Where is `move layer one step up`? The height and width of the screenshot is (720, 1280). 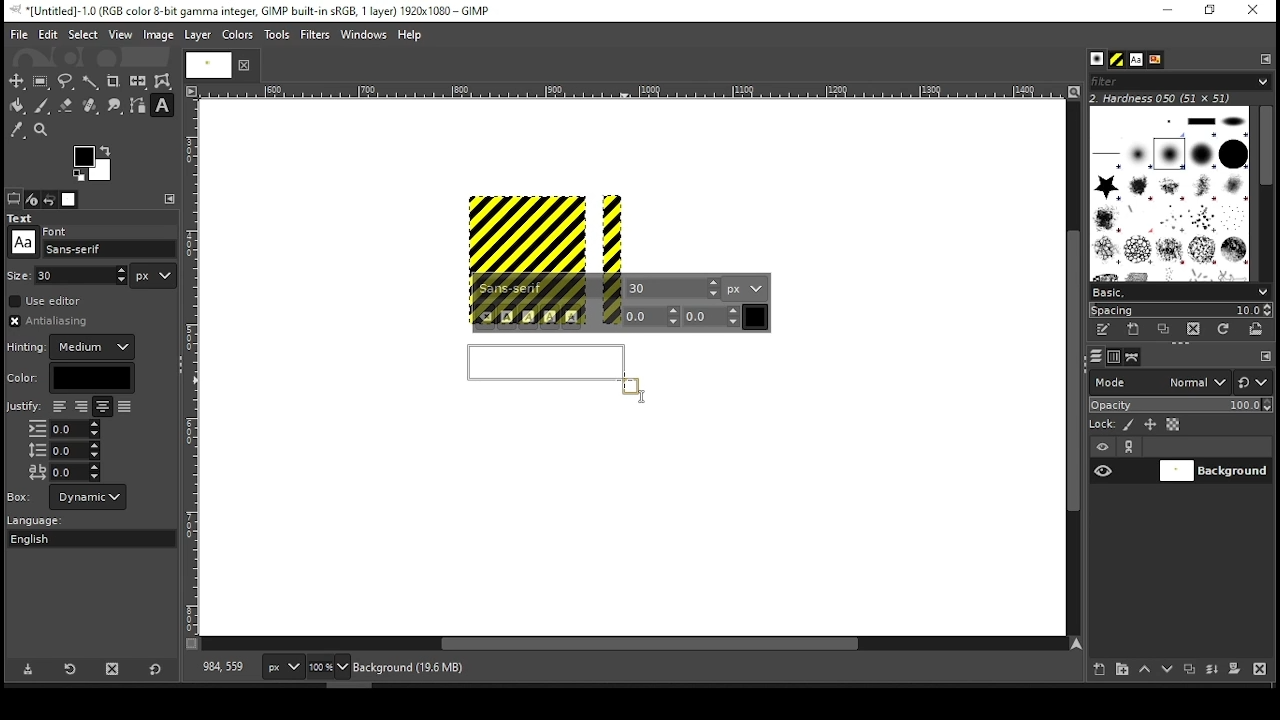 move layer one step up is located at coordinates (1145, 671).